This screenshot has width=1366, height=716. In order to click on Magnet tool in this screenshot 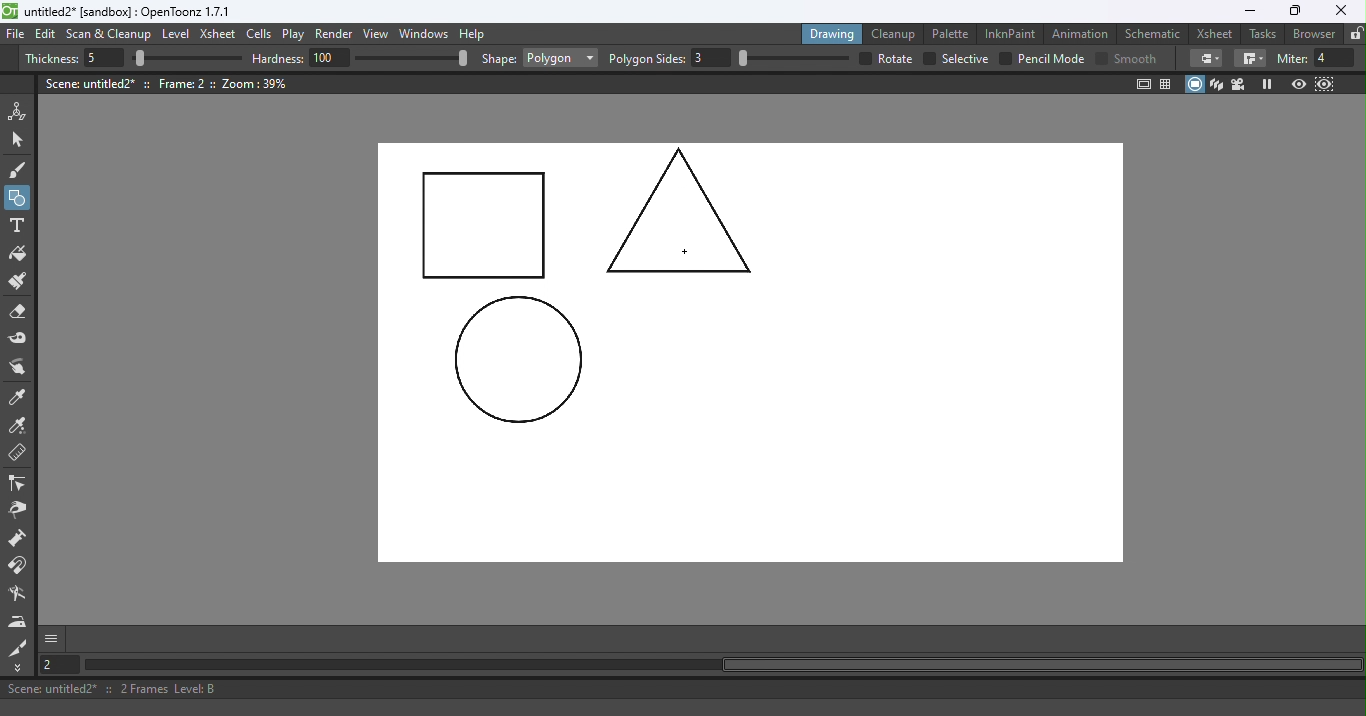, I will do `click(19, 540)`.